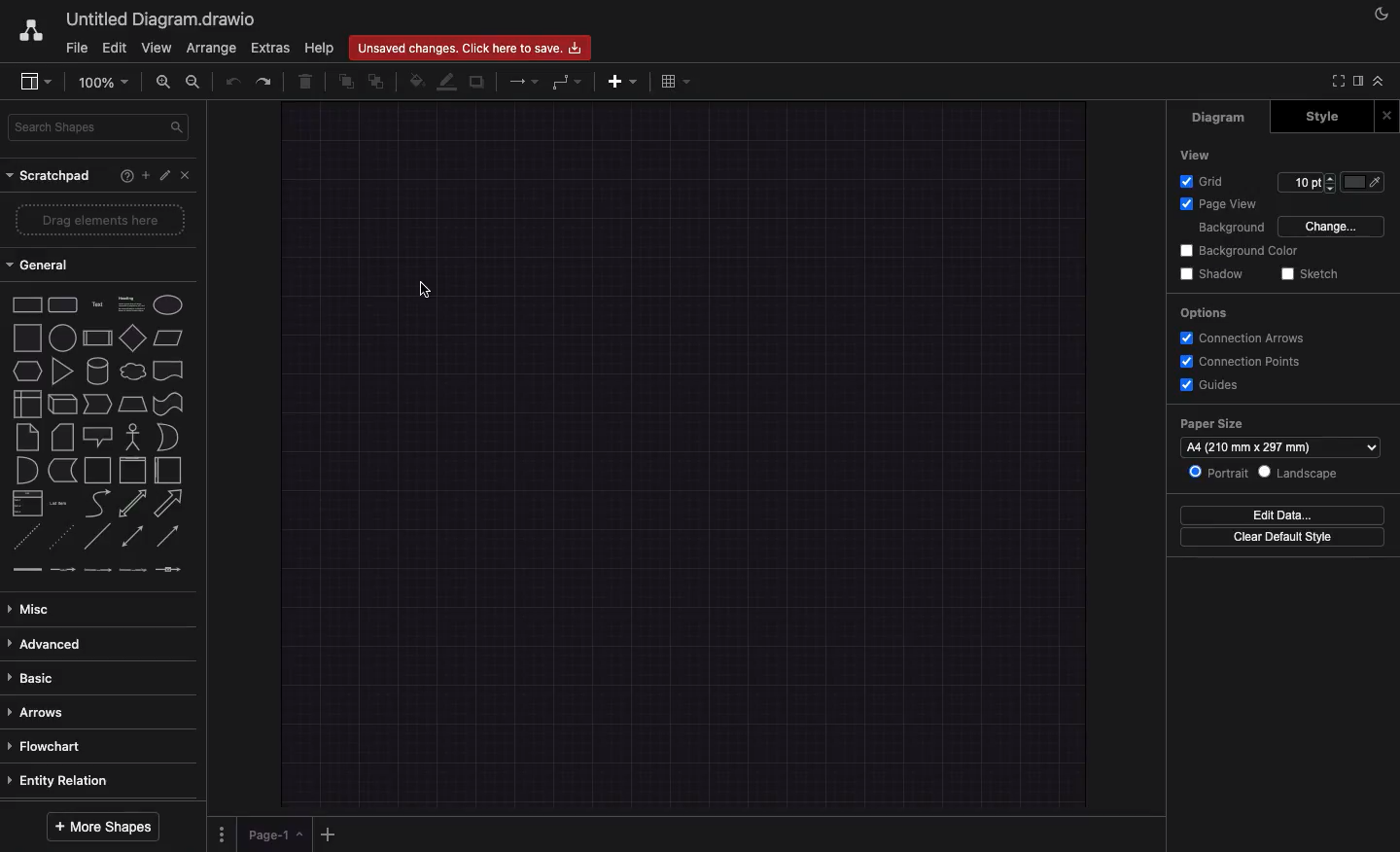  I want to click on Sketch, so click(1313, 273).